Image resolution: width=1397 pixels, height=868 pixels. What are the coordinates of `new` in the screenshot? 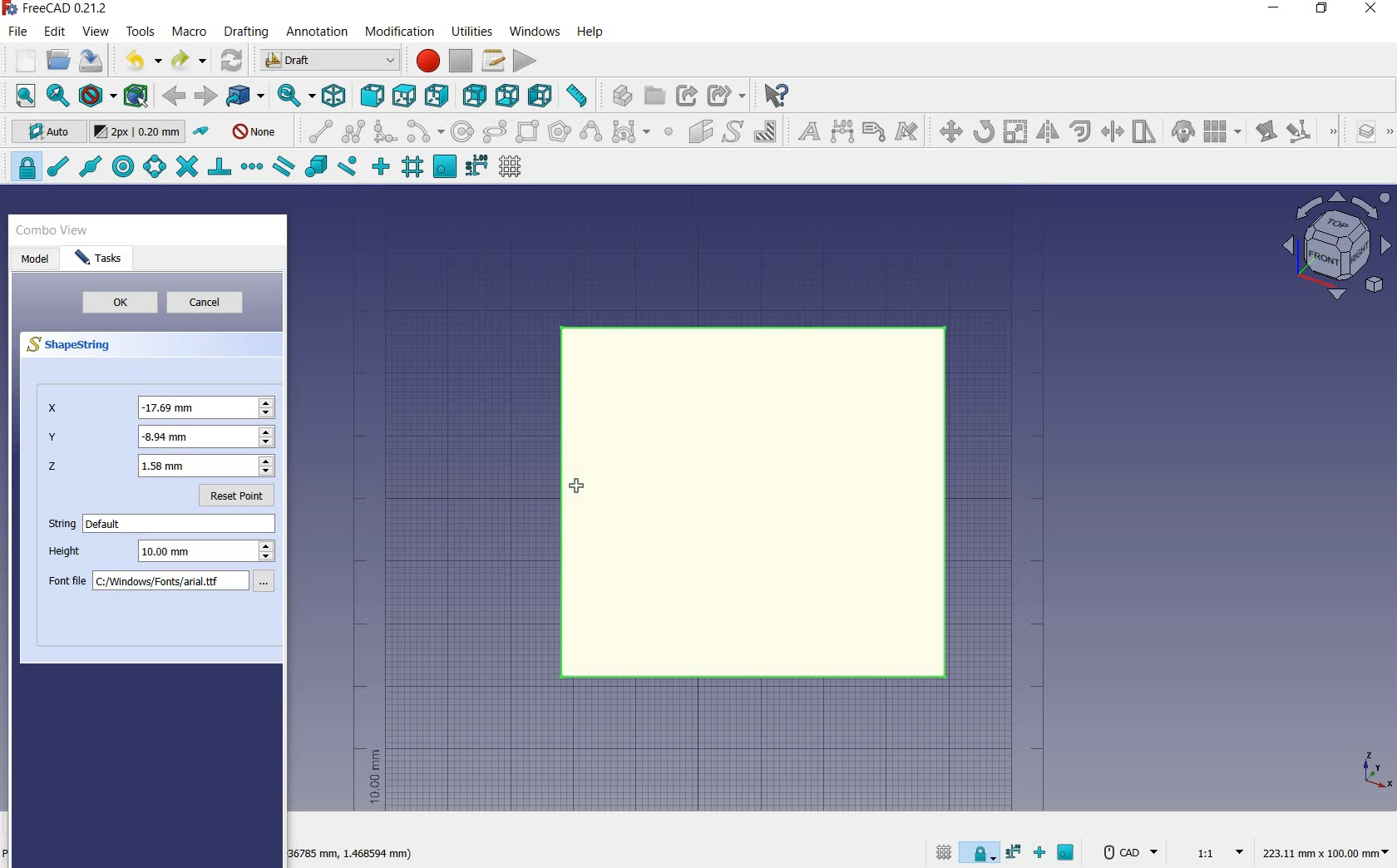 It's located at (19, 62).